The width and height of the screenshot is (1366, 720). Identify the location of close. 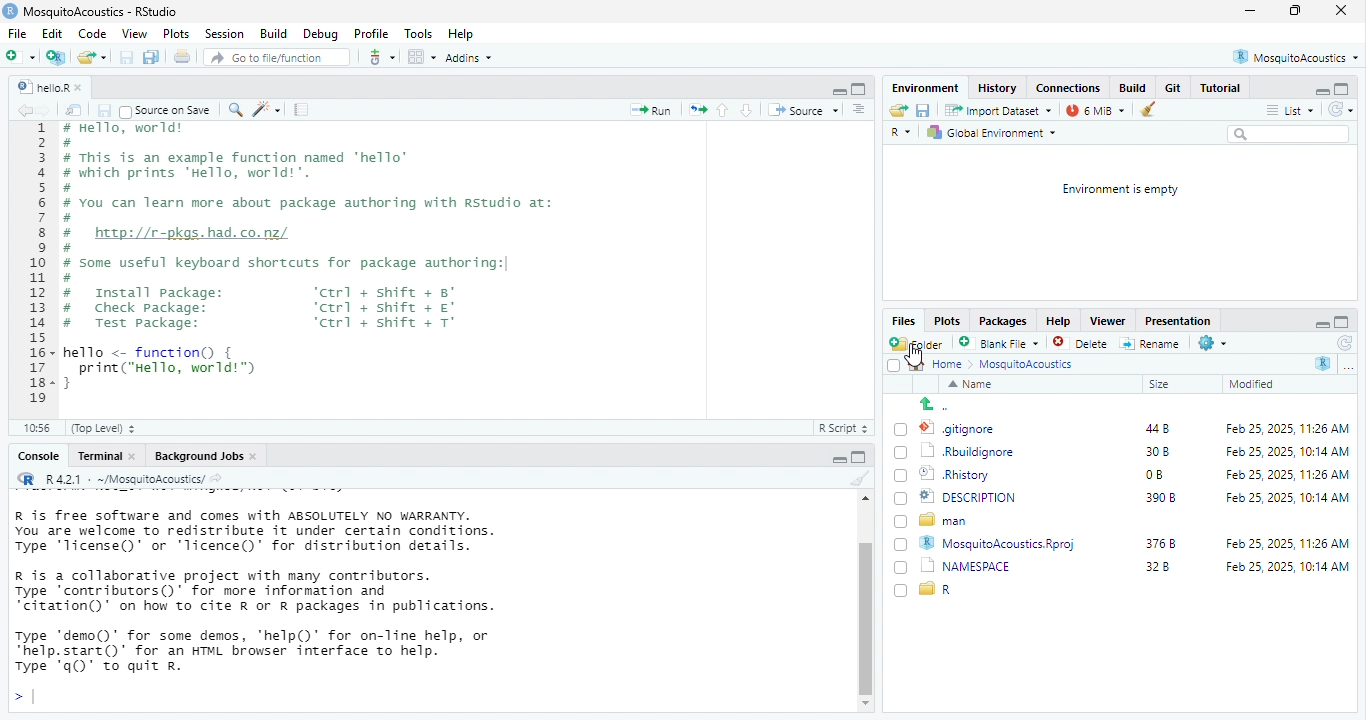
(1338, 11).